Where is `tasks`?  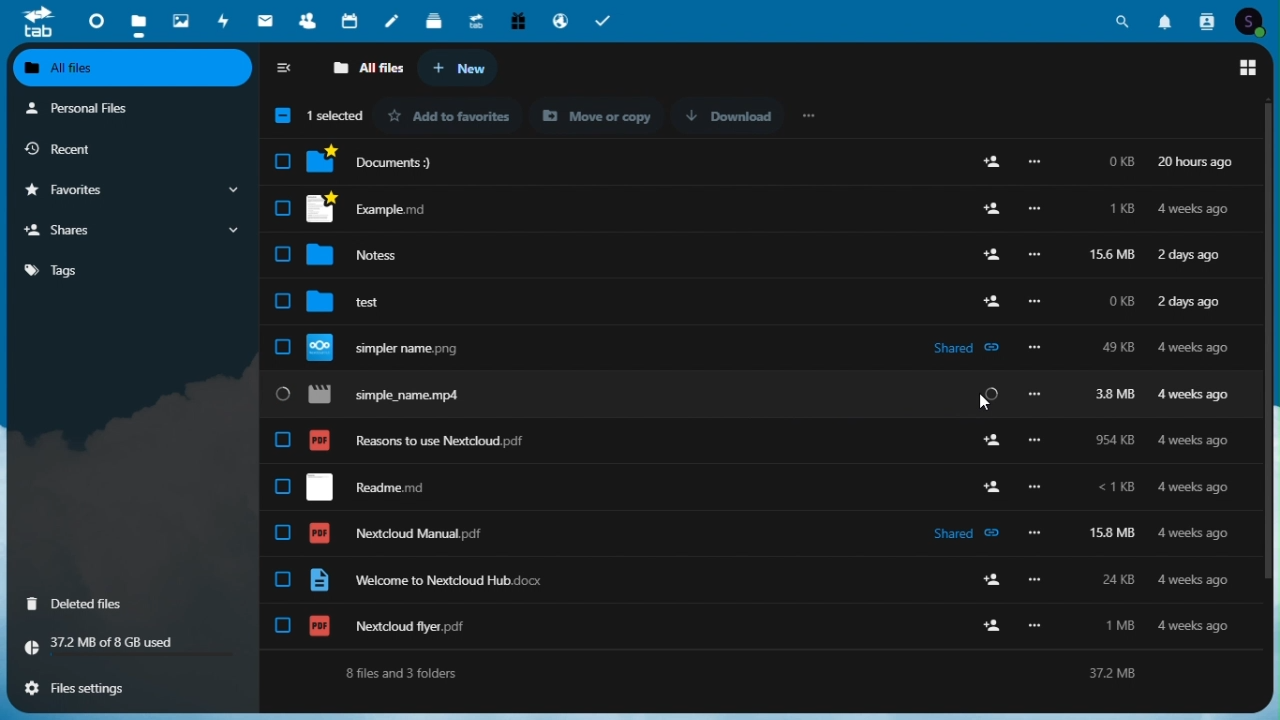
tasks is located at coordinates (607, 20).